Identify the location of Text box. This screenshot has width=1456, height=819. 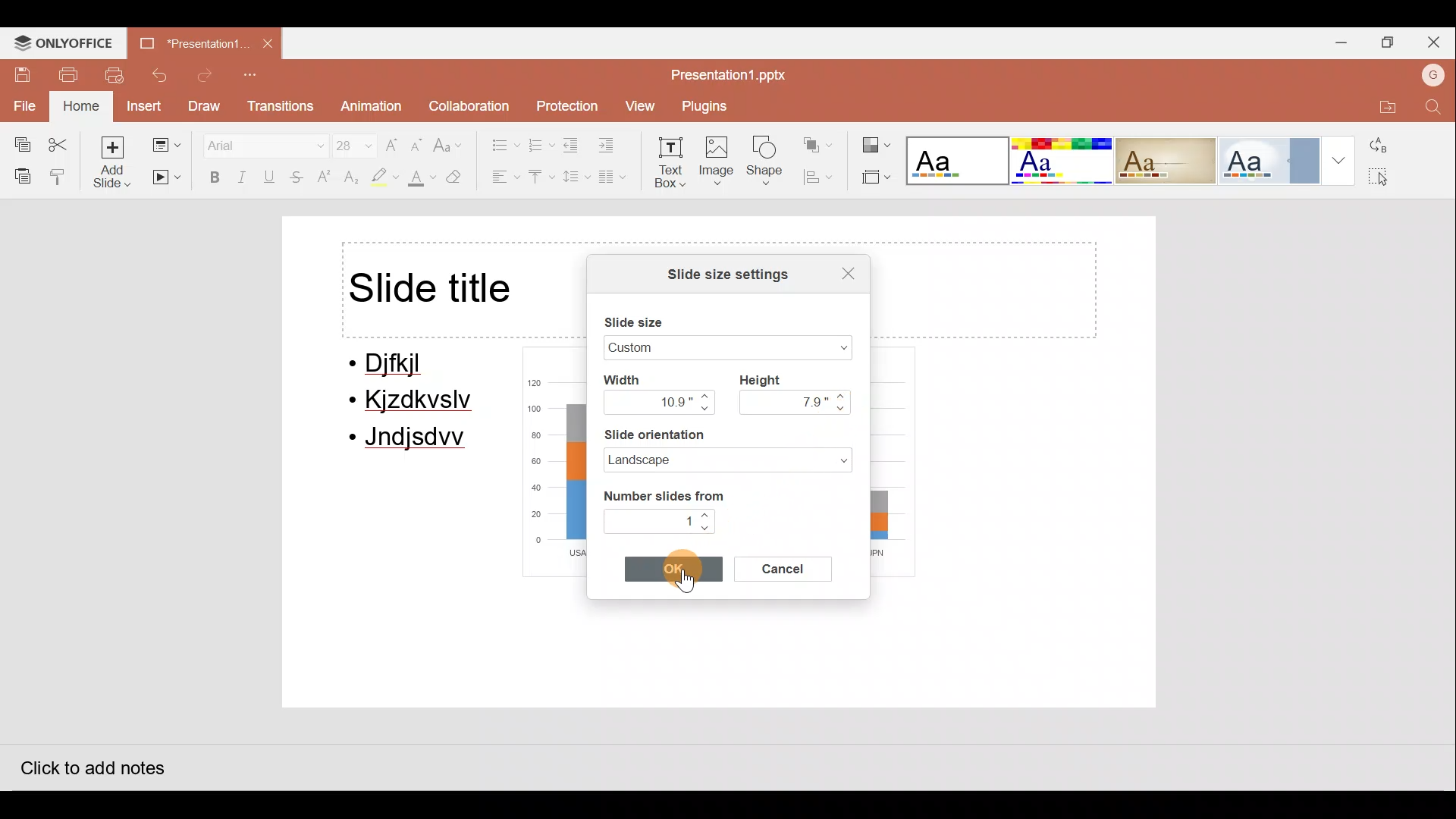
(672, 165).